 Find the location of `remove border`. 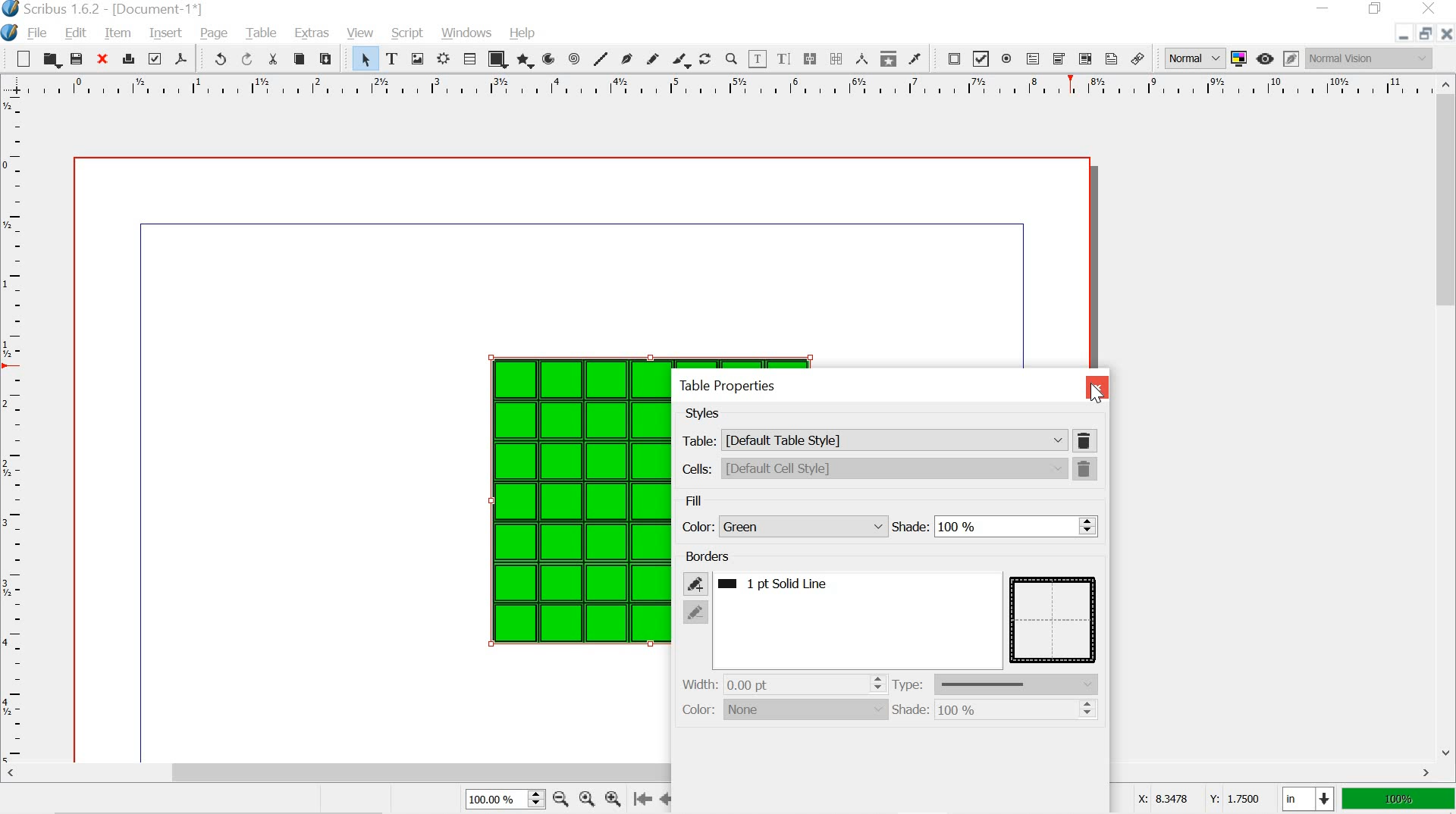

remove border is located at coordinates (696, 612).